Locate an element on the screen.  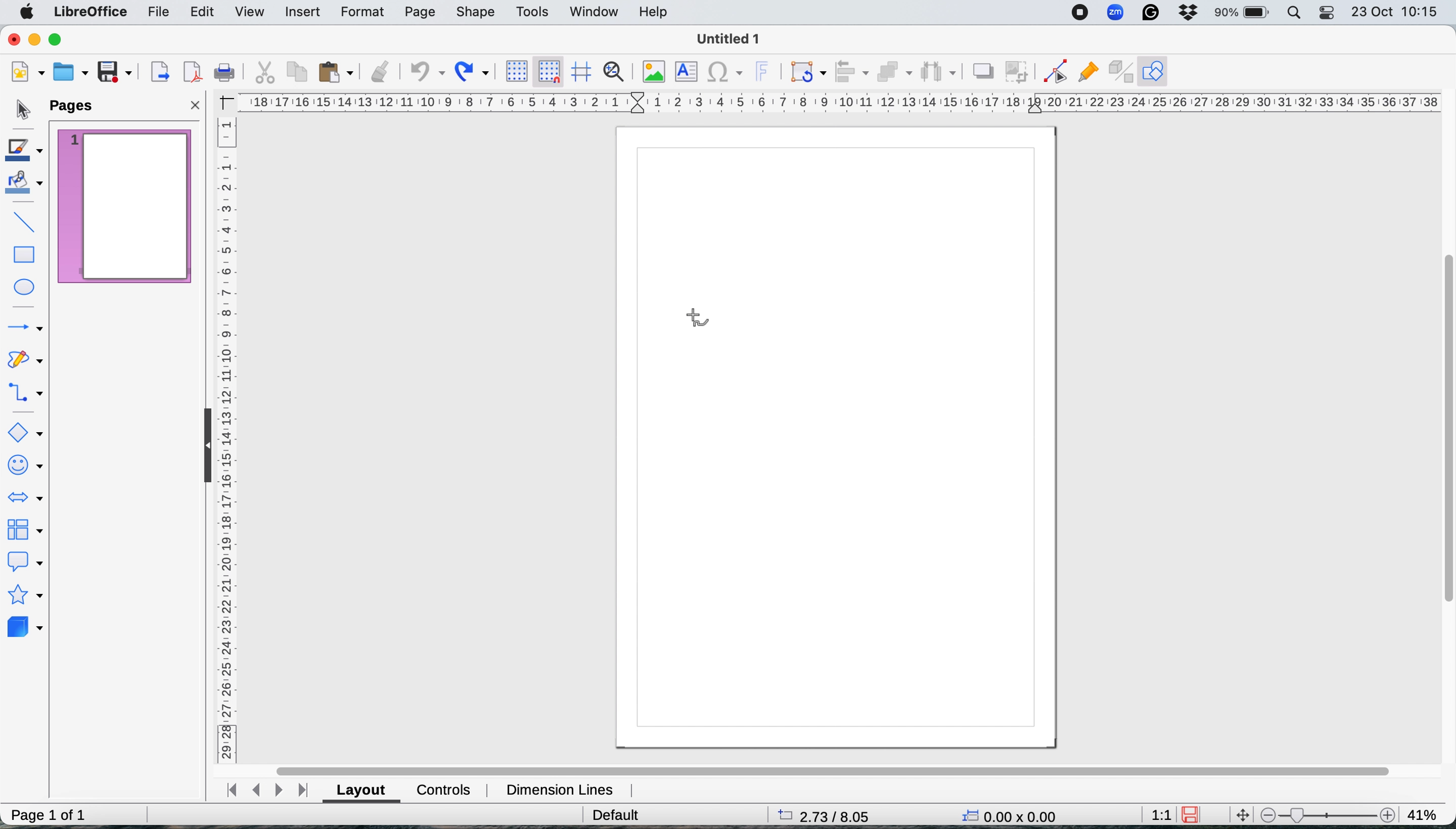
block arrows is located at coordinates (27, 494).